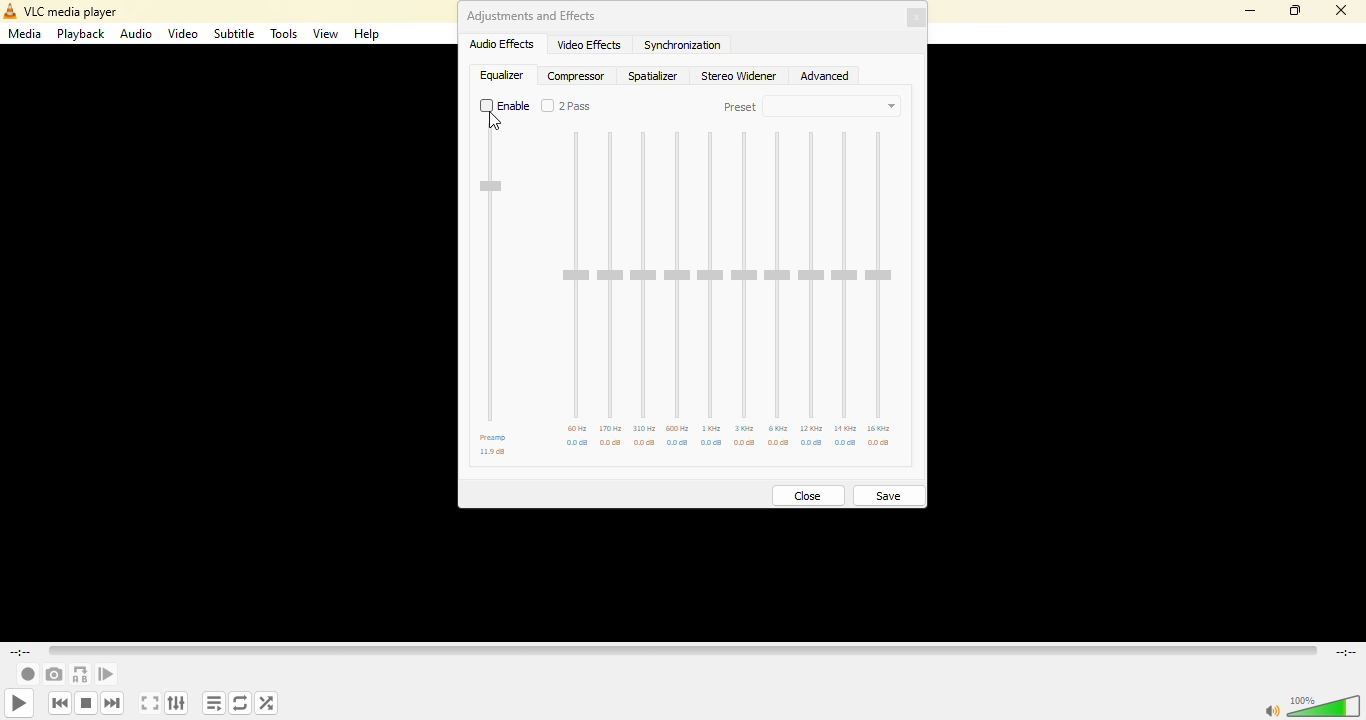 The height and width of the screenshot is (720, 1366). What do you see at coordinates (919, 18) in the screenshot?
I see `close` at bounding box center [919, 18].